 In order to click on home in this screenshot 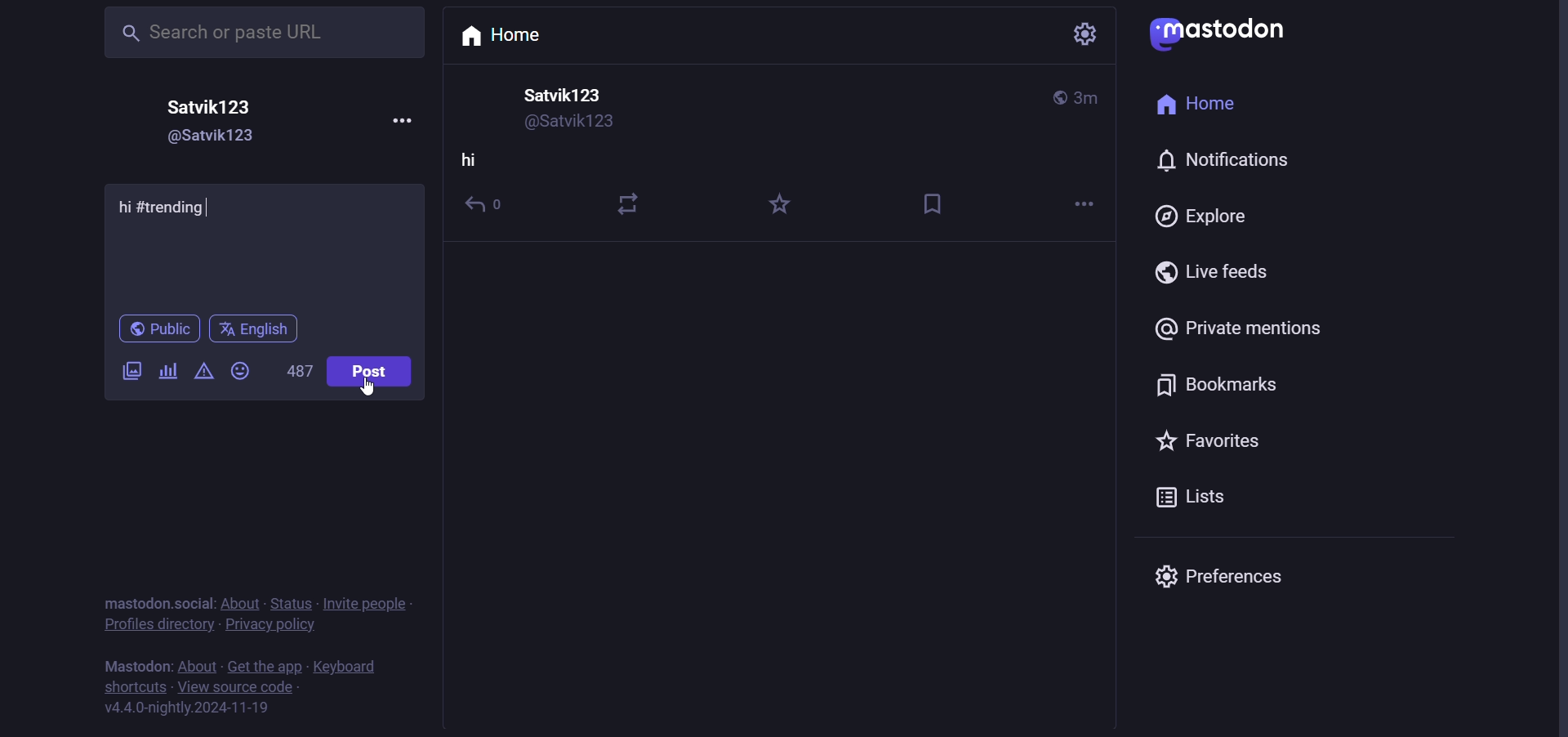, I will do `click(510, 34)`.